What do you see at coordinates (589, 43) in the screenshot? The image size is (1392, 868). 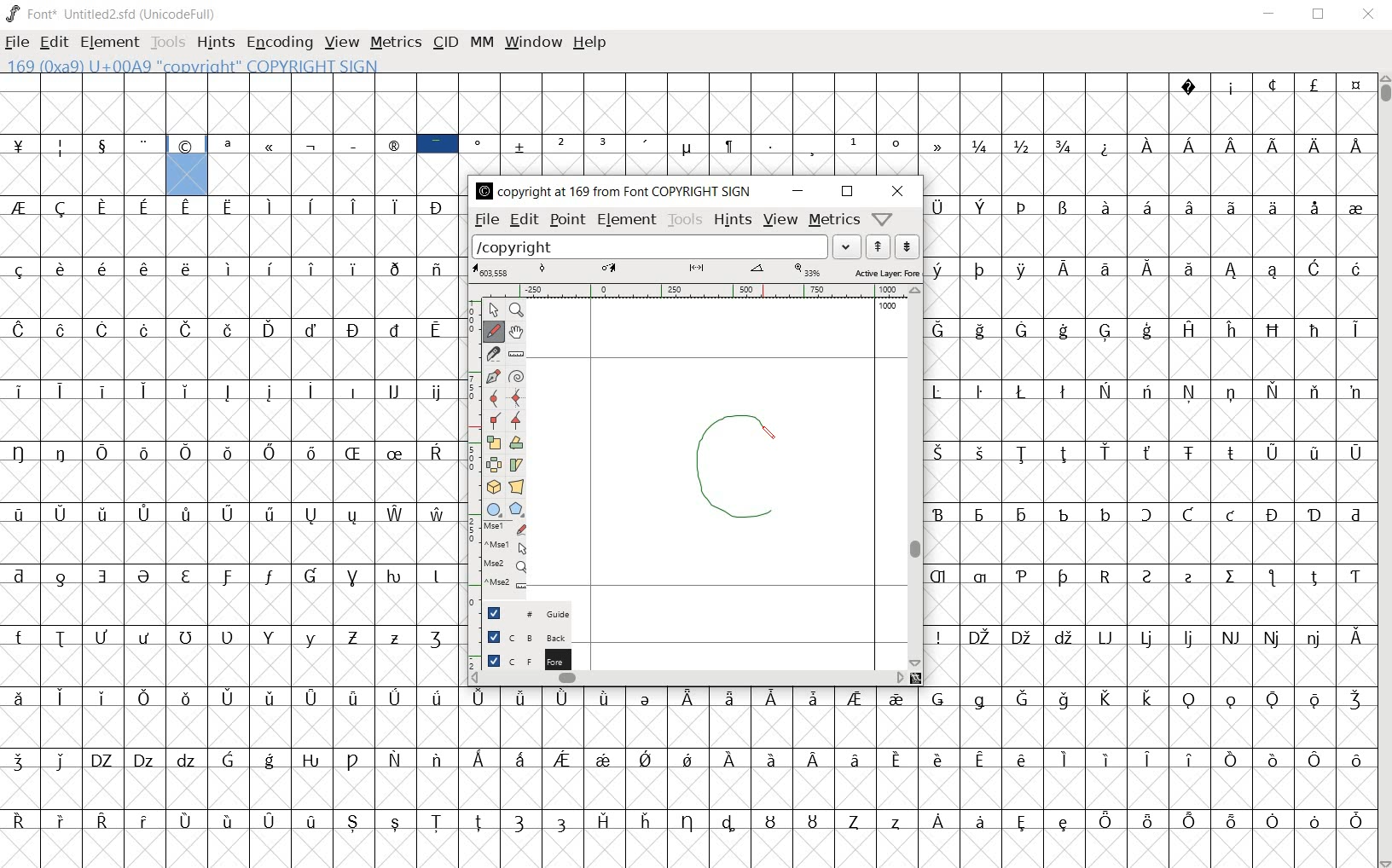 I see `help` at bounding box center [589, 43].